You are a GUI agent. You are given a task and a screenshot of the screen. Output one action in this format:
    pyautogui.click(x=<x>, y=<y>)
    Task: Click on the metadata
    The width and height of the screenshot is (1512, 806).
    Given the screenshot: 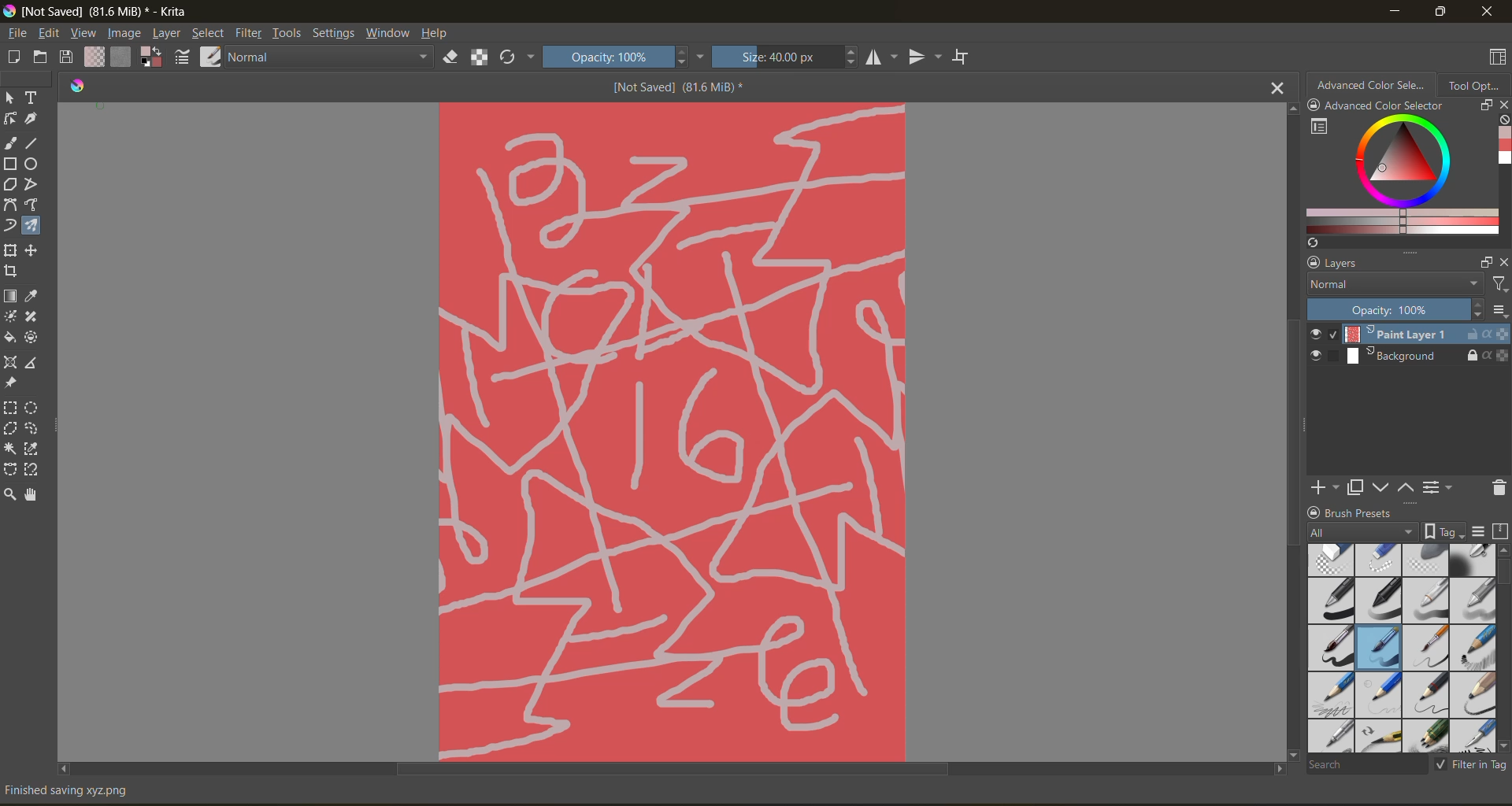 What is the action you would take?
    pyautogui.click(x=80, y=789)
    